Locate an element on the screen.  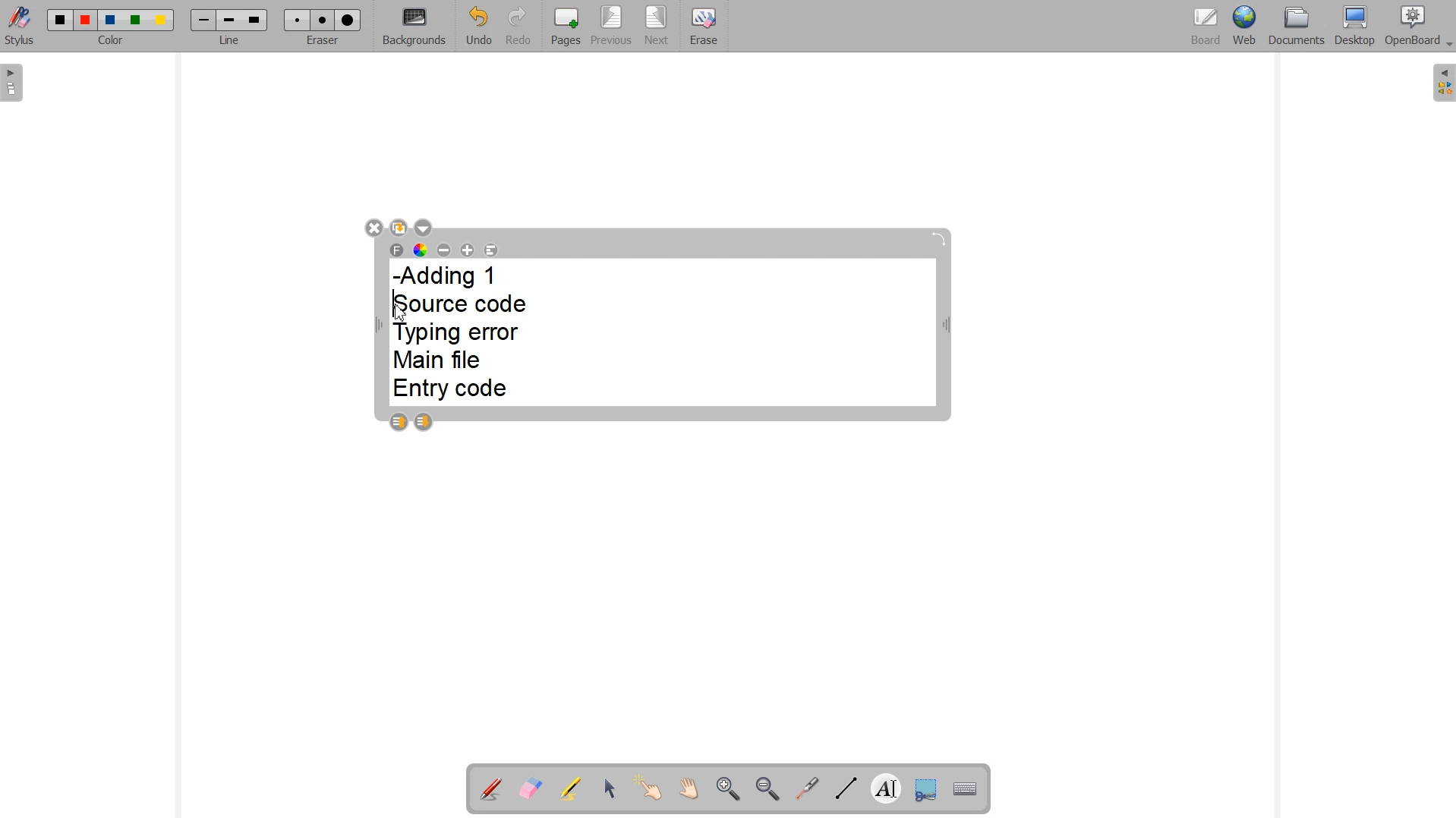
Color is located at coordinates (113, 42).